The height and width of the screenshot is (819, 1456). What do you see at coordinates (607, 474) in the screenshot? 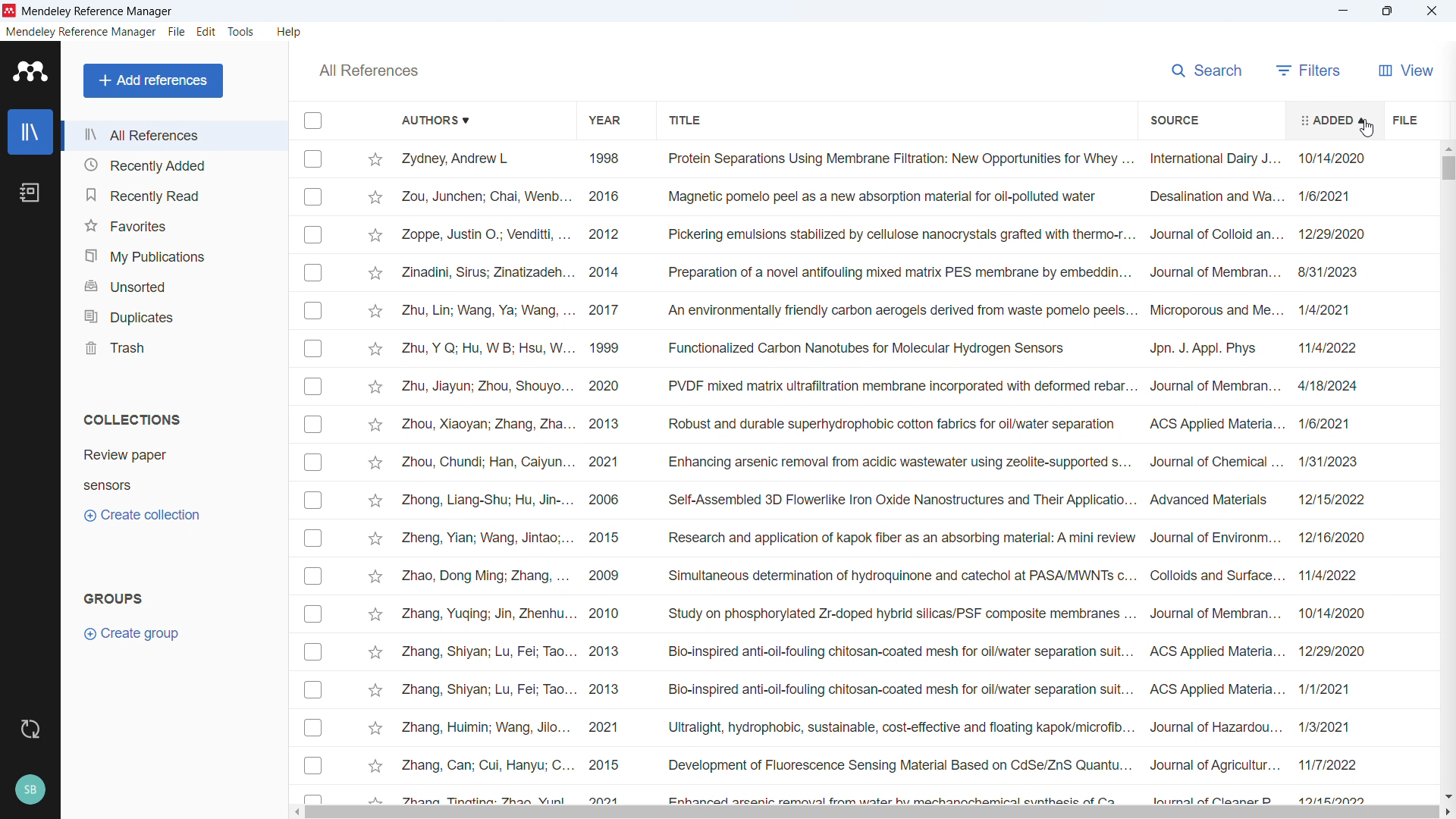
I see `year of publication for individual entries ` at bounding box center [607, 474].